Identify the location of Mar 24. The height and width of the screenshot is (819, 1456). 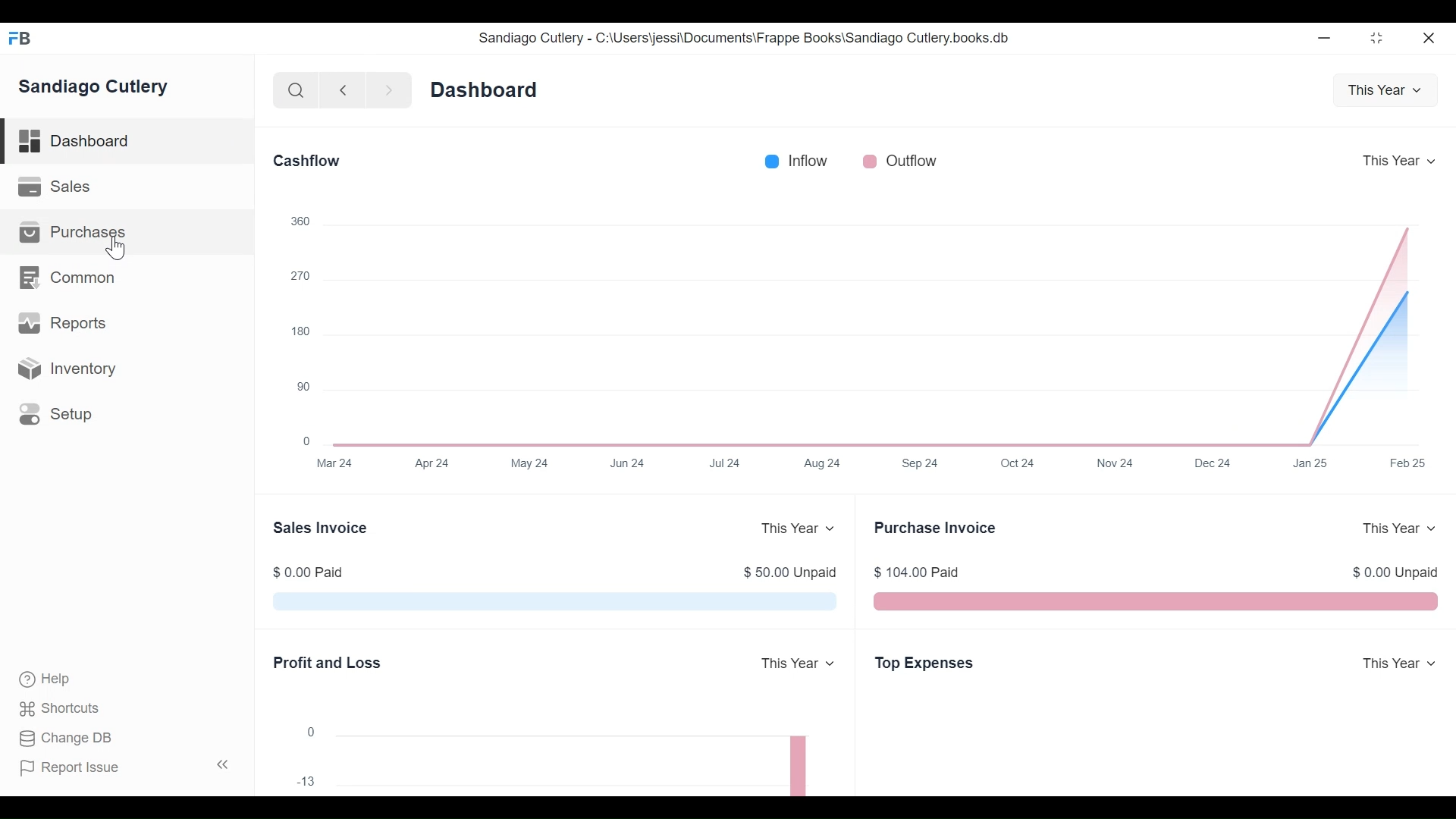
(335, 463).